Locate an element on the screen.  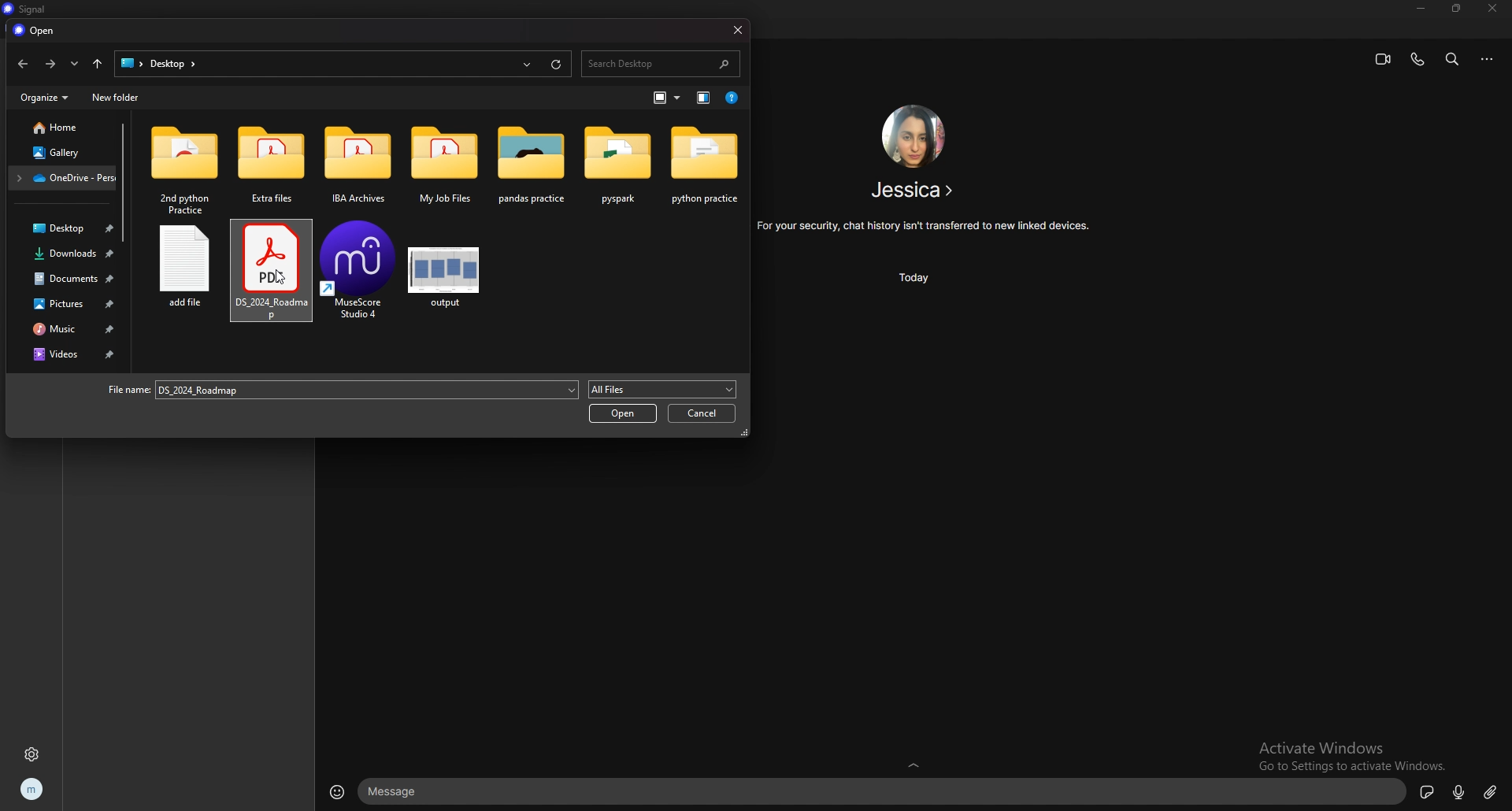
change view is located at coordinates (705, 98).